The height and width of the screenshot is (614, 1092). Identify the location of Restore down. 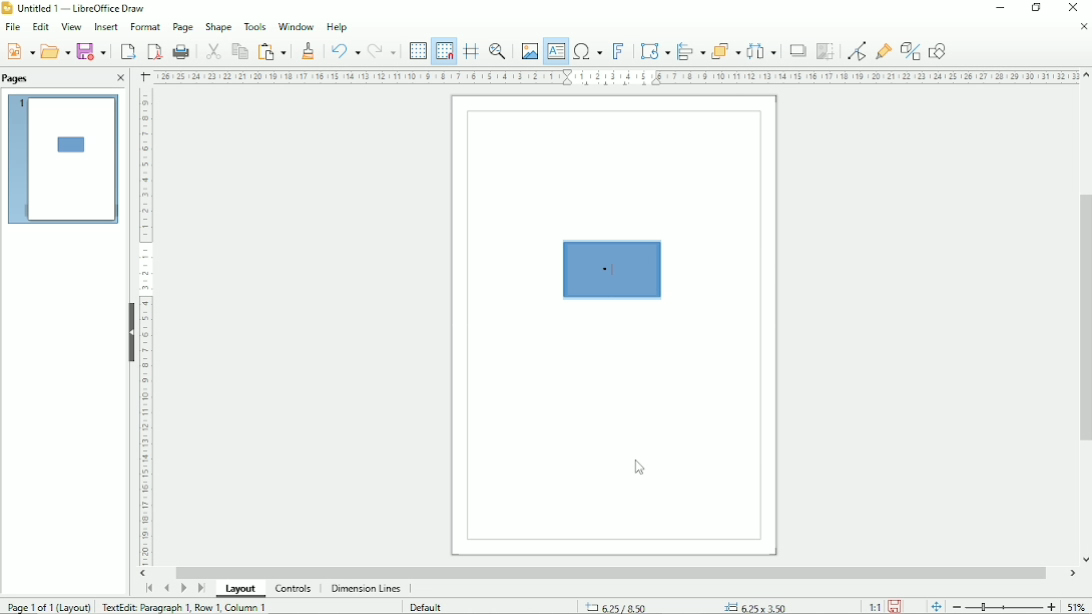
(1037, 8).